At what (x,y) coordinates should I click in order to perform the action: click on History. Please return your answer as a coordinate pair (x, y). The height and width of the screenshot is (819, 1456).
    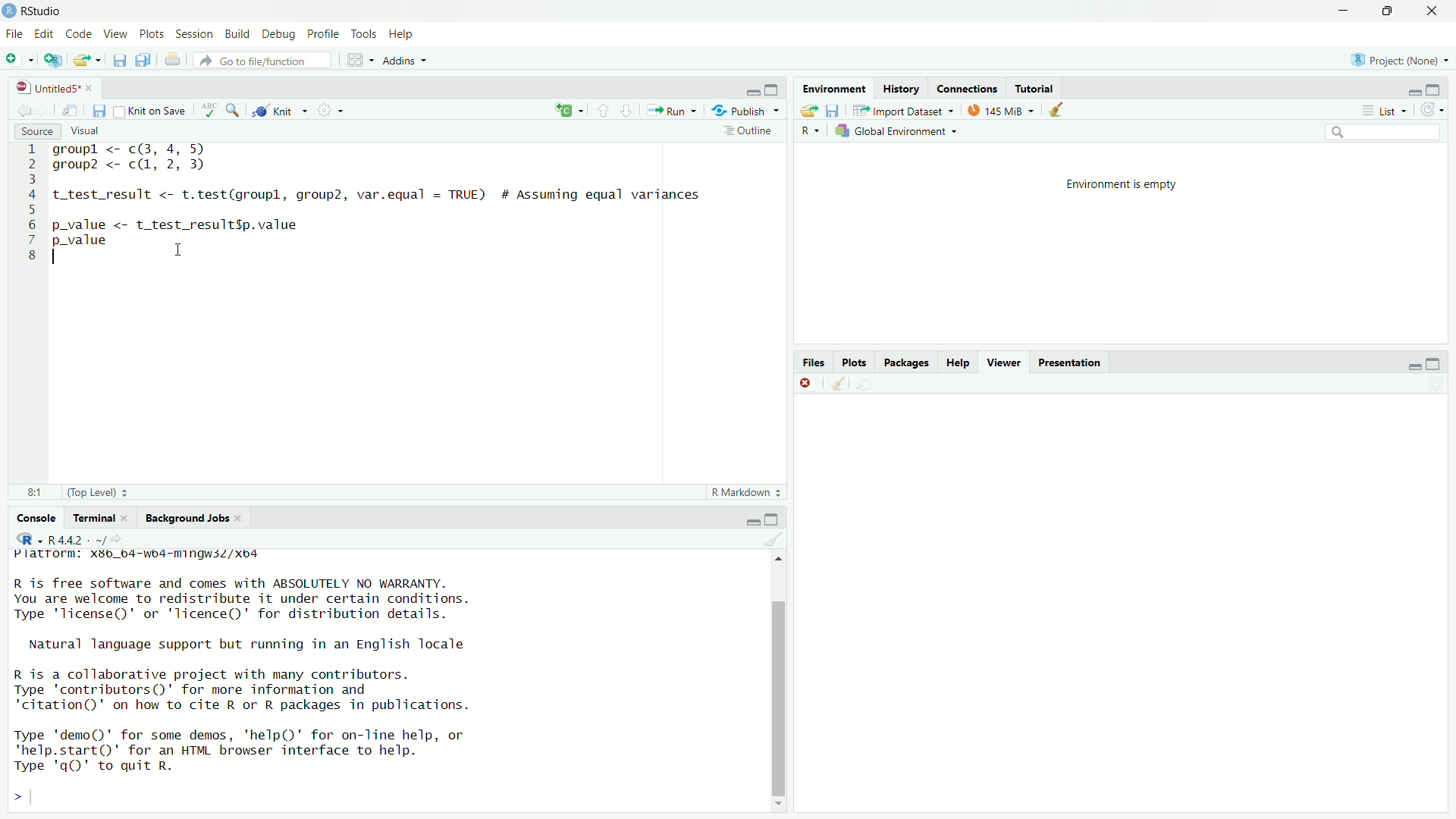
    Looking at the image, I should click on (900, 87).